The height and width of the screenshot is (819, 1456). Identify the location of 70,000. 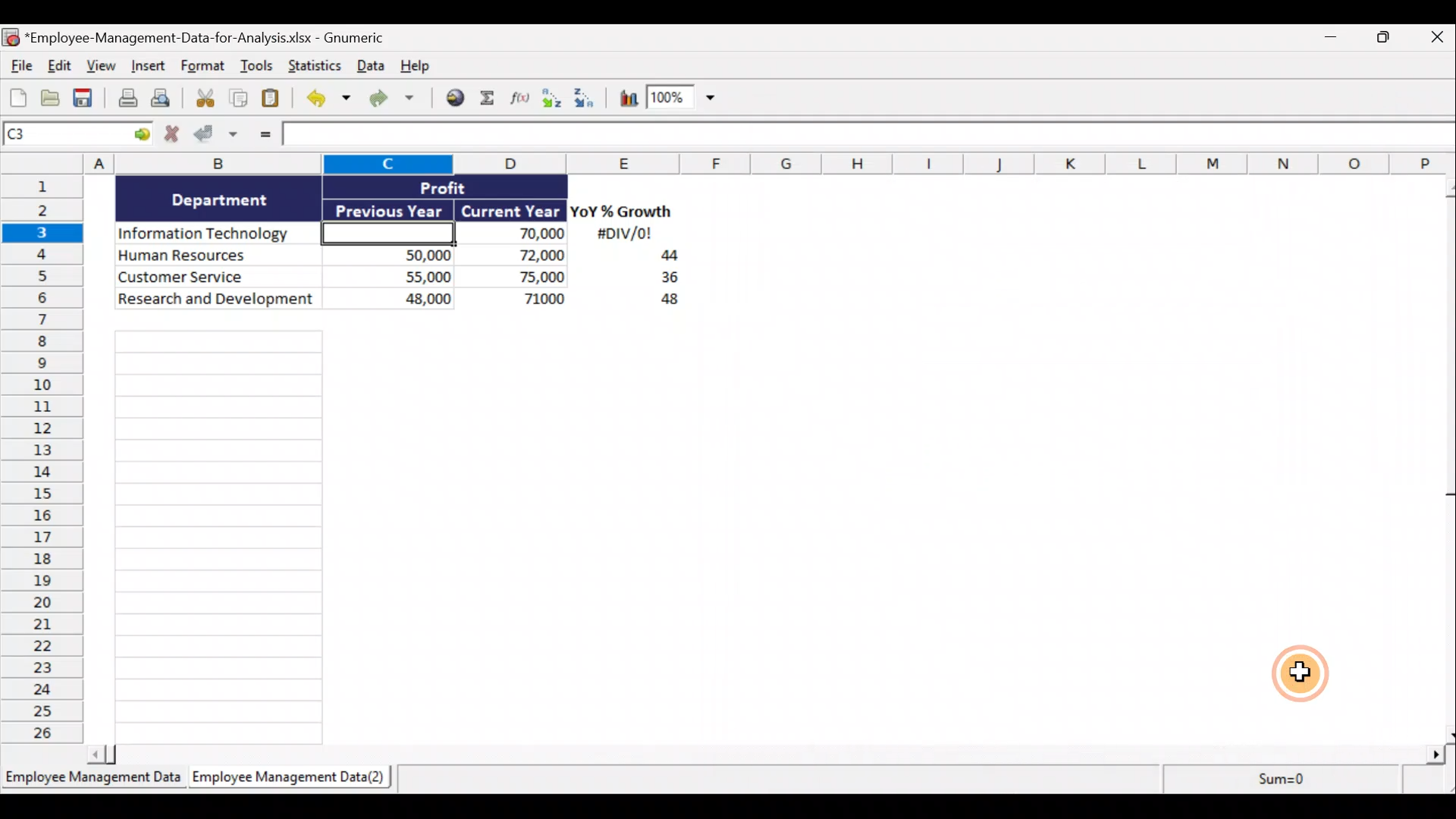
(519, 234).